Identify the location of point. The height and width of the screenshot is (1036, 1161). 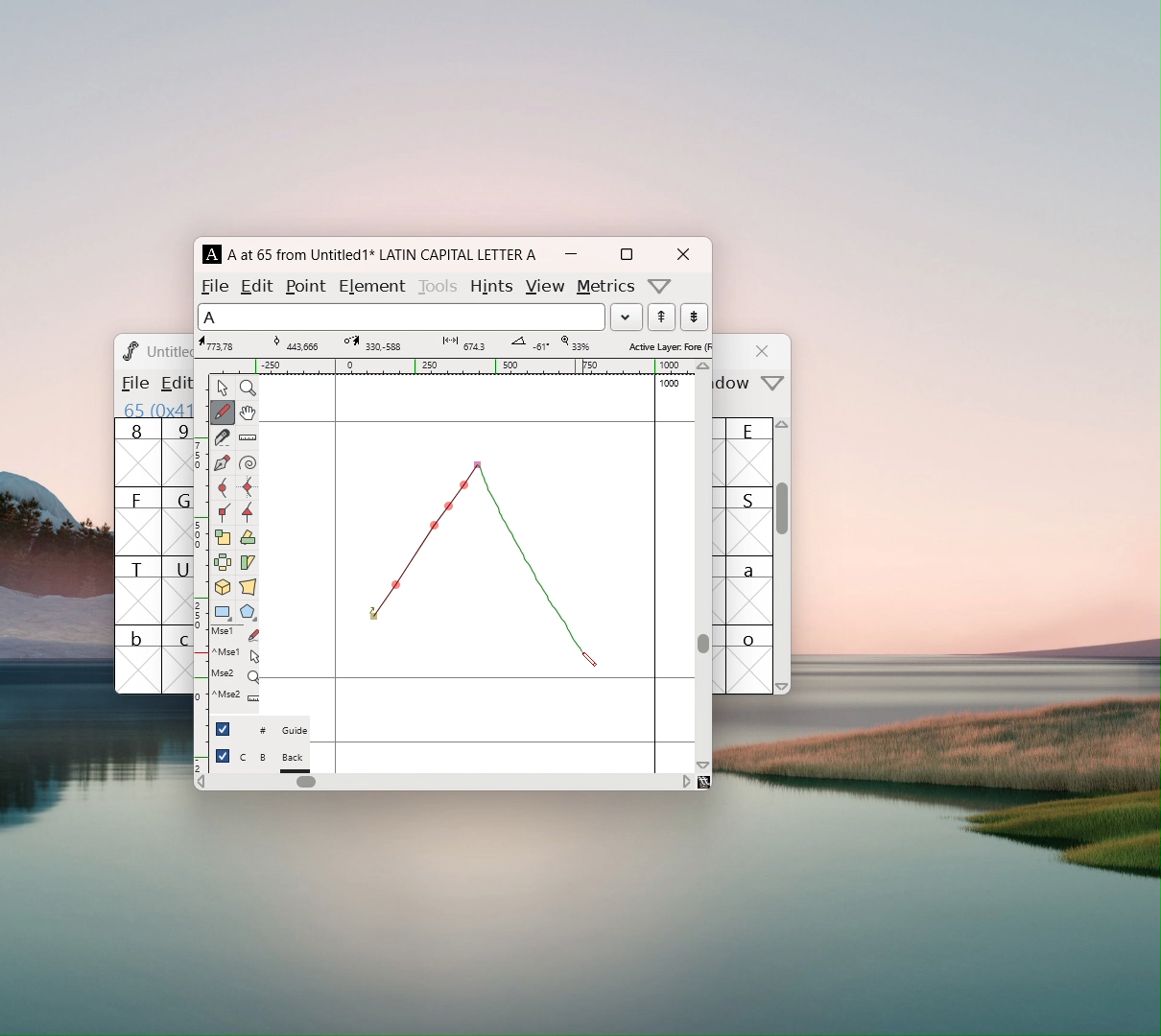
(308, 286).